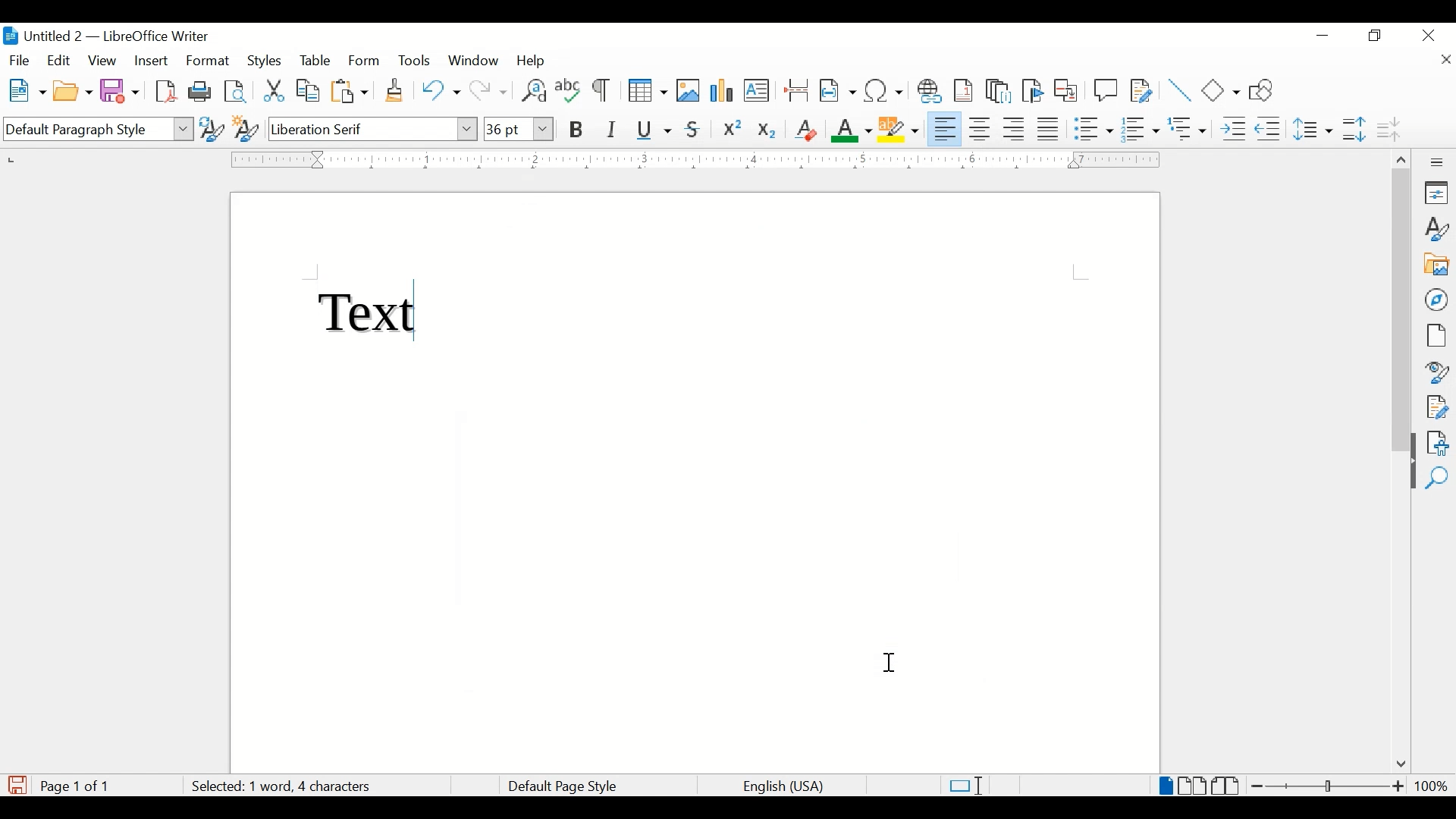 The height and width of the screenshot is (819, 1456). I want to click on default page style, so click(560, 786).